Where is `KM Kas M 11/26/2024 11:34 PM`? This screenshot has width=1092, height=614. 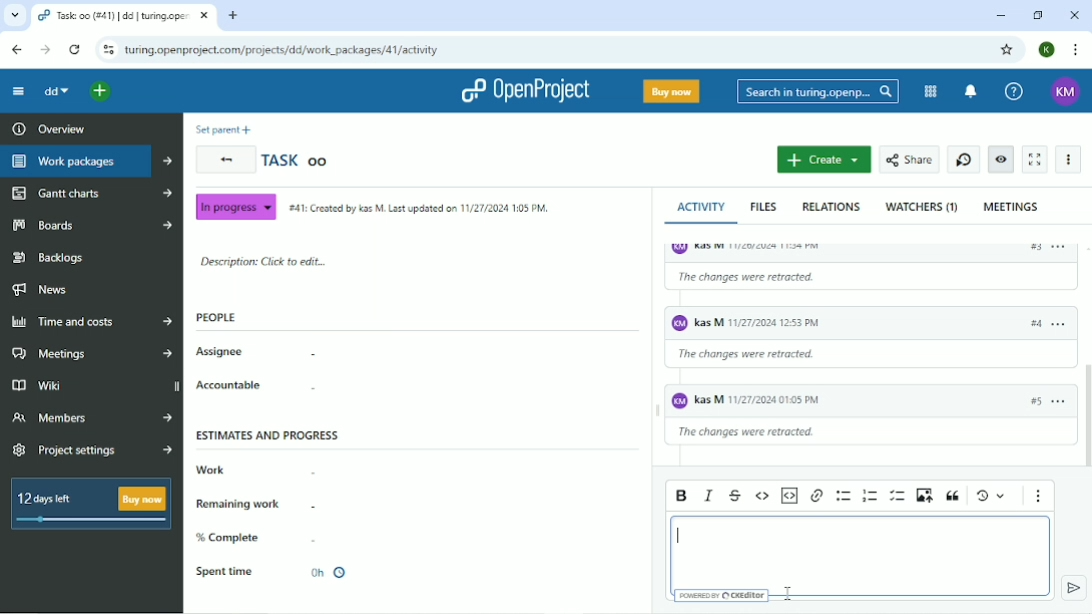
KM Kas M 11/26/2024 11:34 PM is located at coordinates (833, 248).